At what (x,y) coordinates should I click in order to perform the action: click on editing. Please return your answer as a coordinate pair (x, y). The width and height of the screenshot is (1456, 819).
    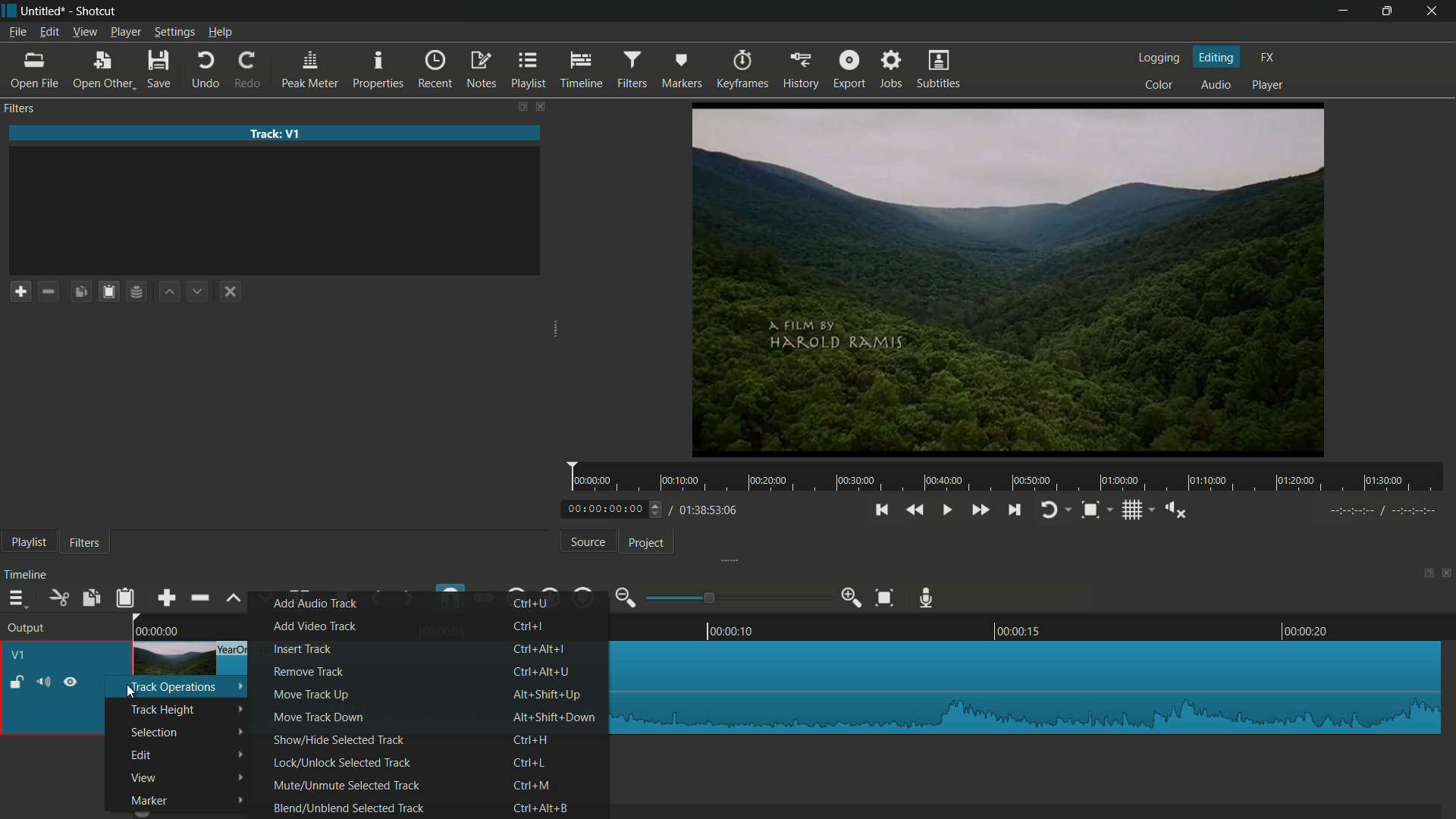
    Looking at the image, I should click on (1217, 57).